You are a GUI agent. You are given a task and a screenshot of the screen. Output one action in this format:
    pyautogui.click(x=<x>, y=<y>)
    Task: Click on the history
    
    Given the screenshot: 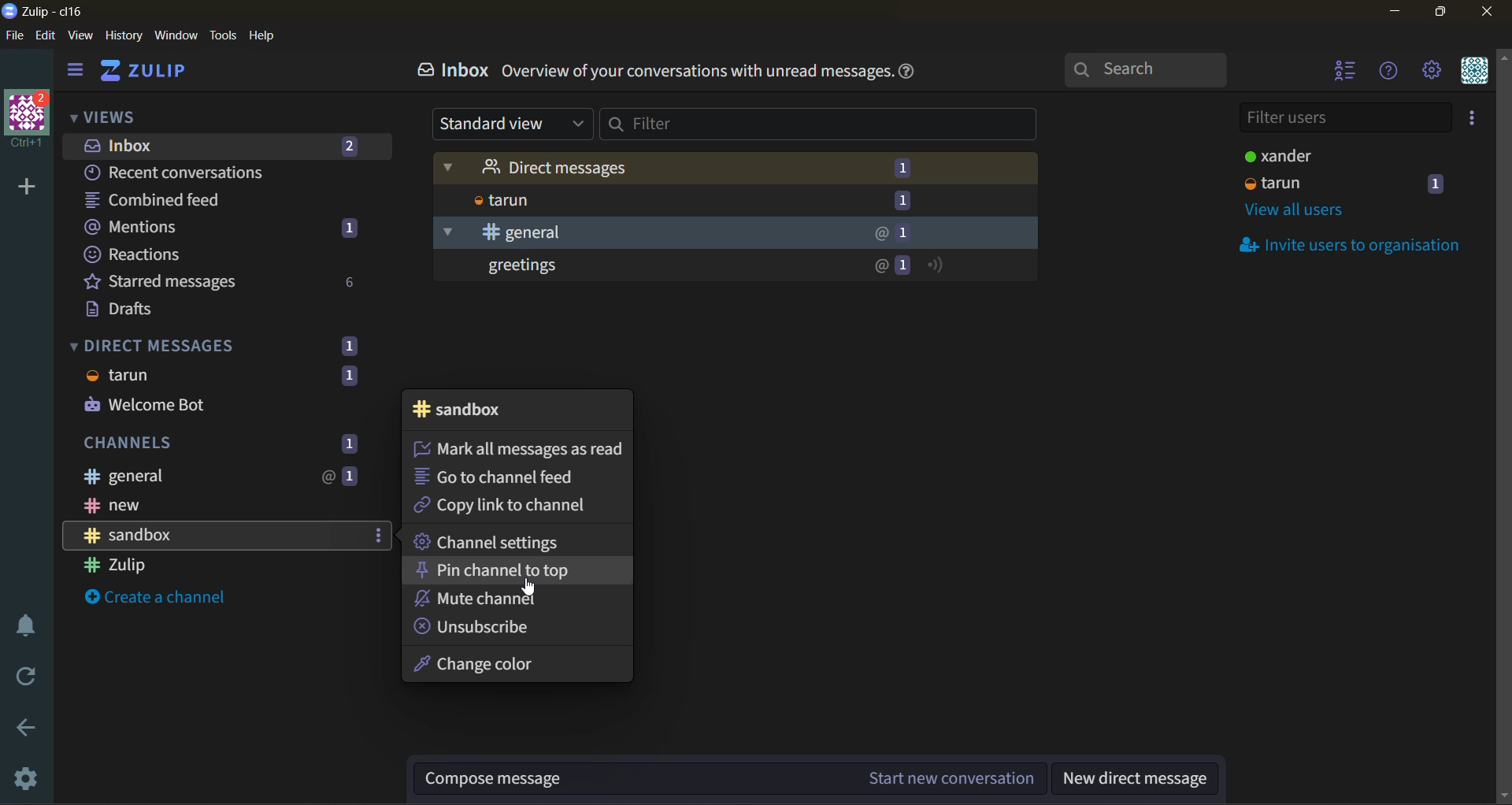 What is the action you would take?
    pyautogui.click(x=124, y=36)
    